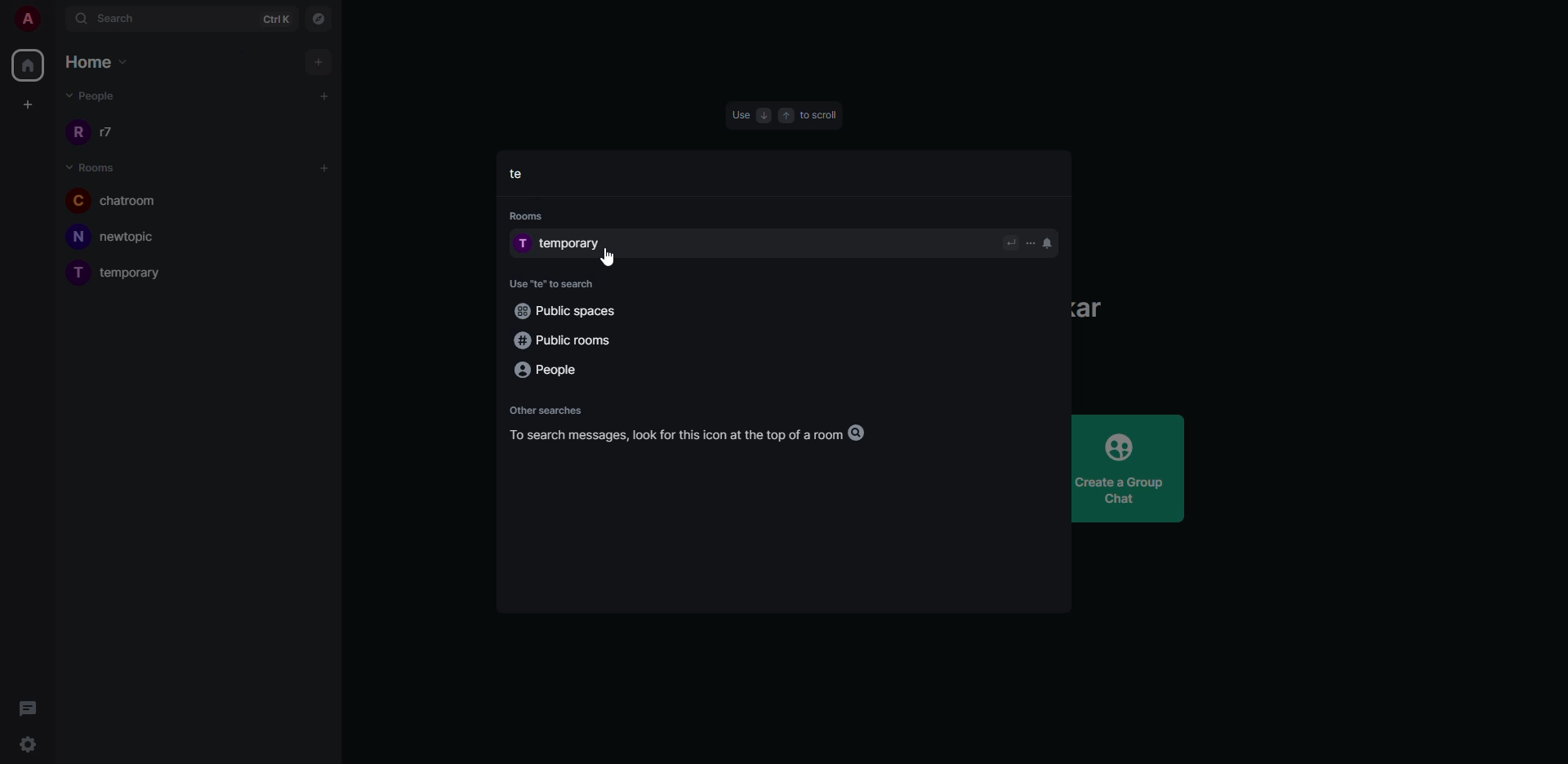  Describe the element at coordinates (26, 20) in the screenshot. I see `account` at that location.